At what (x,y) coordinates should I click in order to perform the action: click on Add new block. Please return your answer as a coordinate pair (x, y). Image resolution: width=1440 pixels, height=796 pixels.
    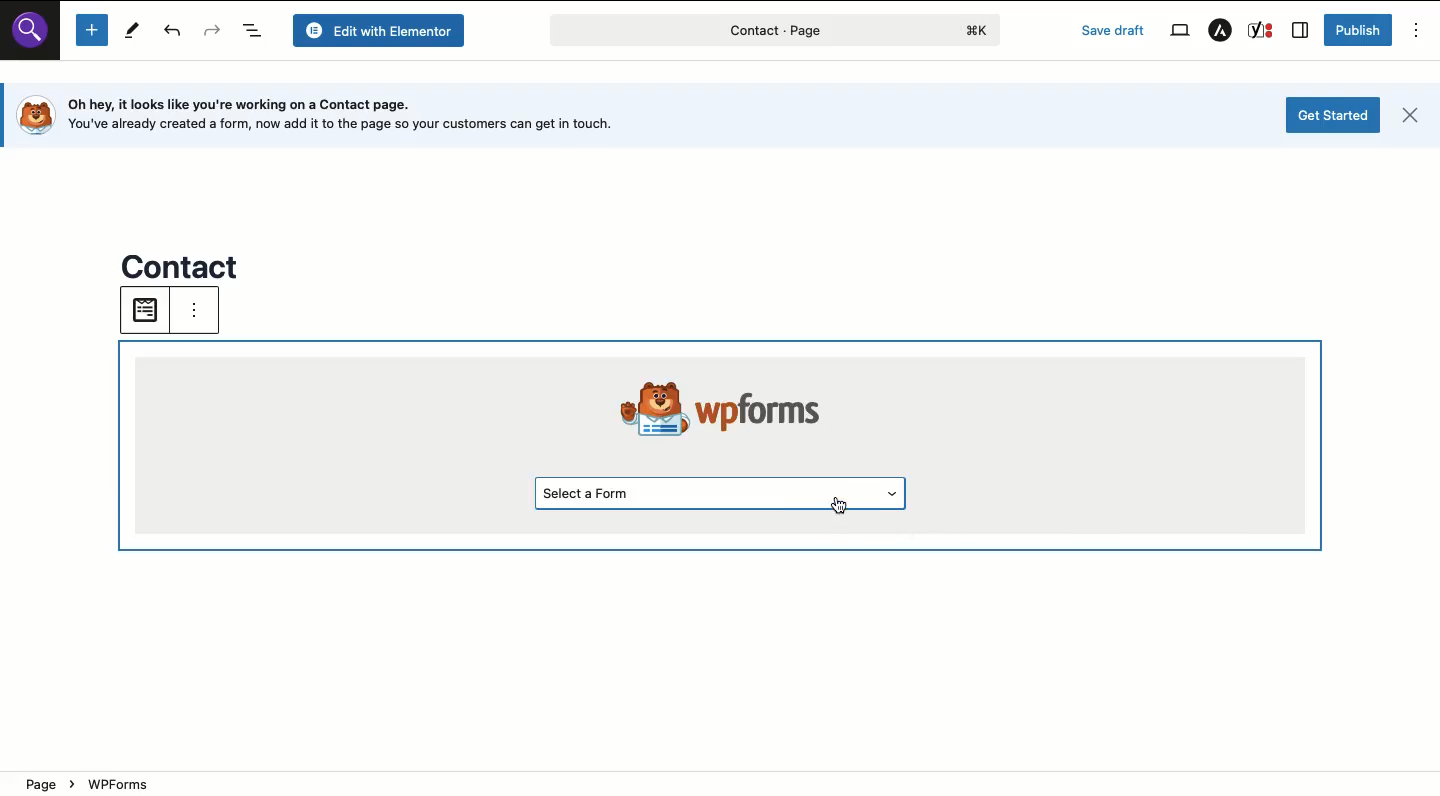
    Looking at the image, I should click on (91, 31).